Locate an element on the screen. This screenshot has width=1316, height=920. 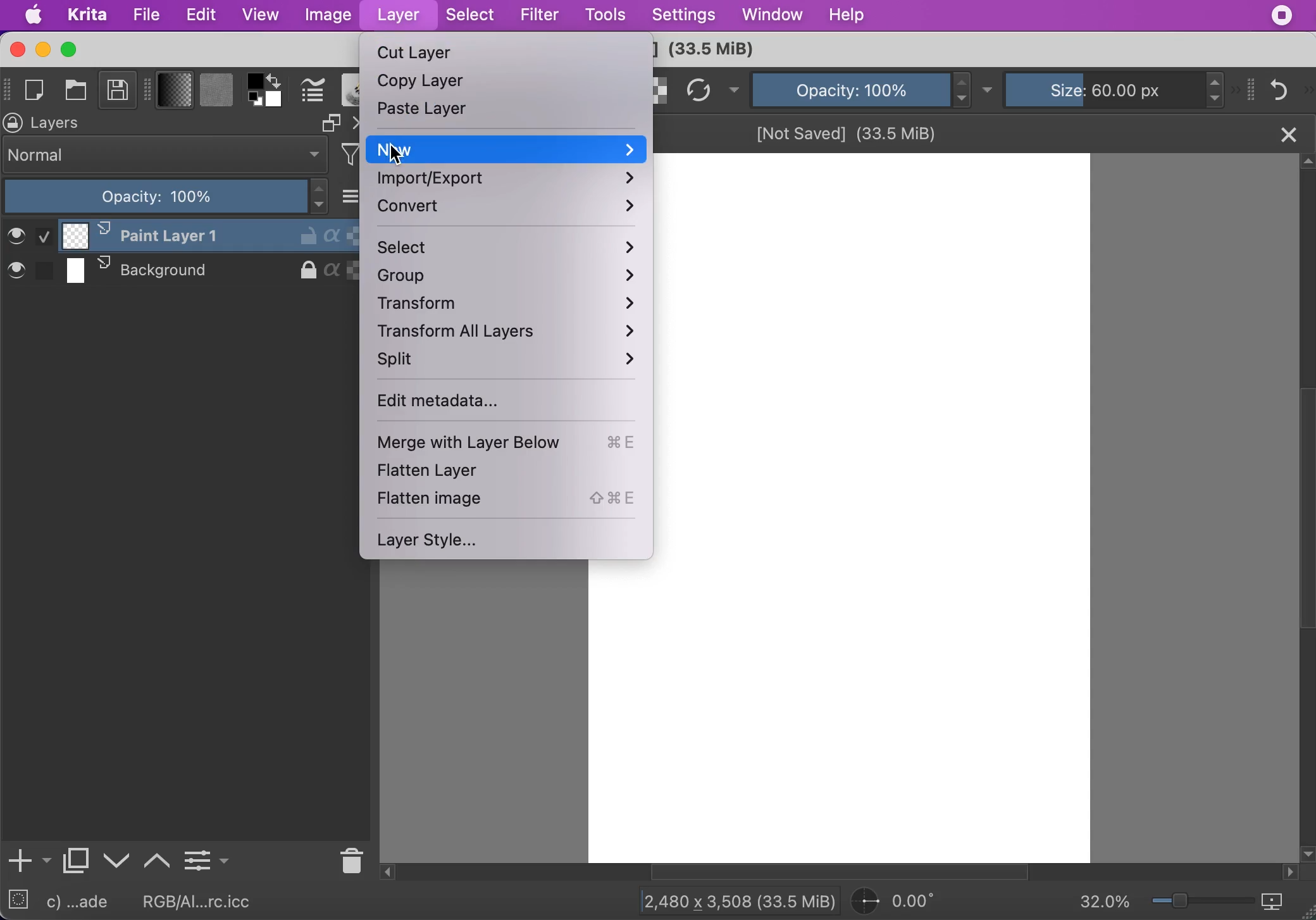
undo last action is located at coordinates (1281, 89).